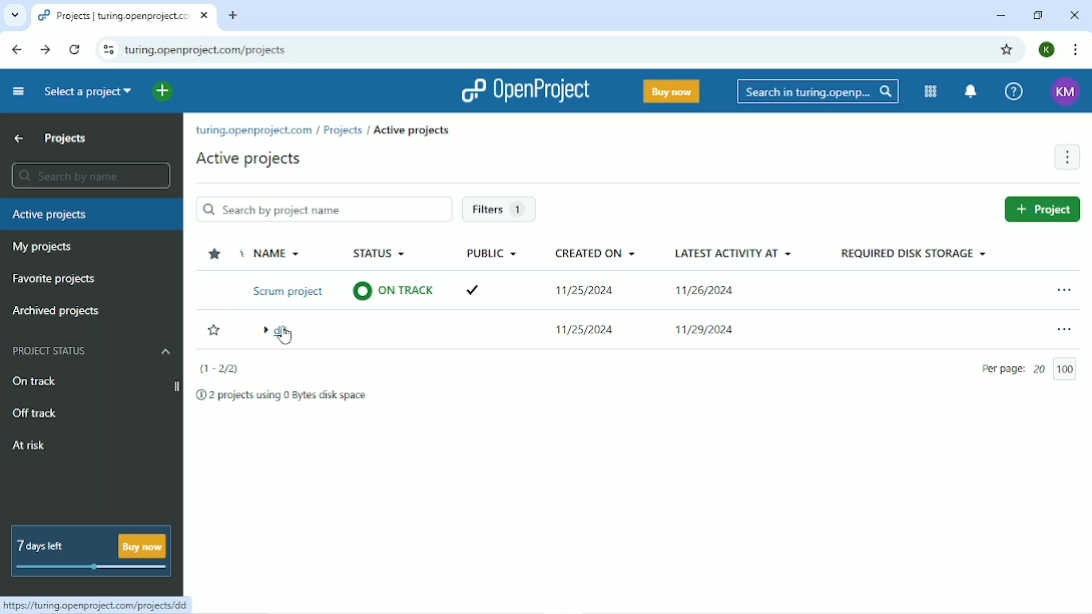  I want to click on Modules, so click(929, 91).